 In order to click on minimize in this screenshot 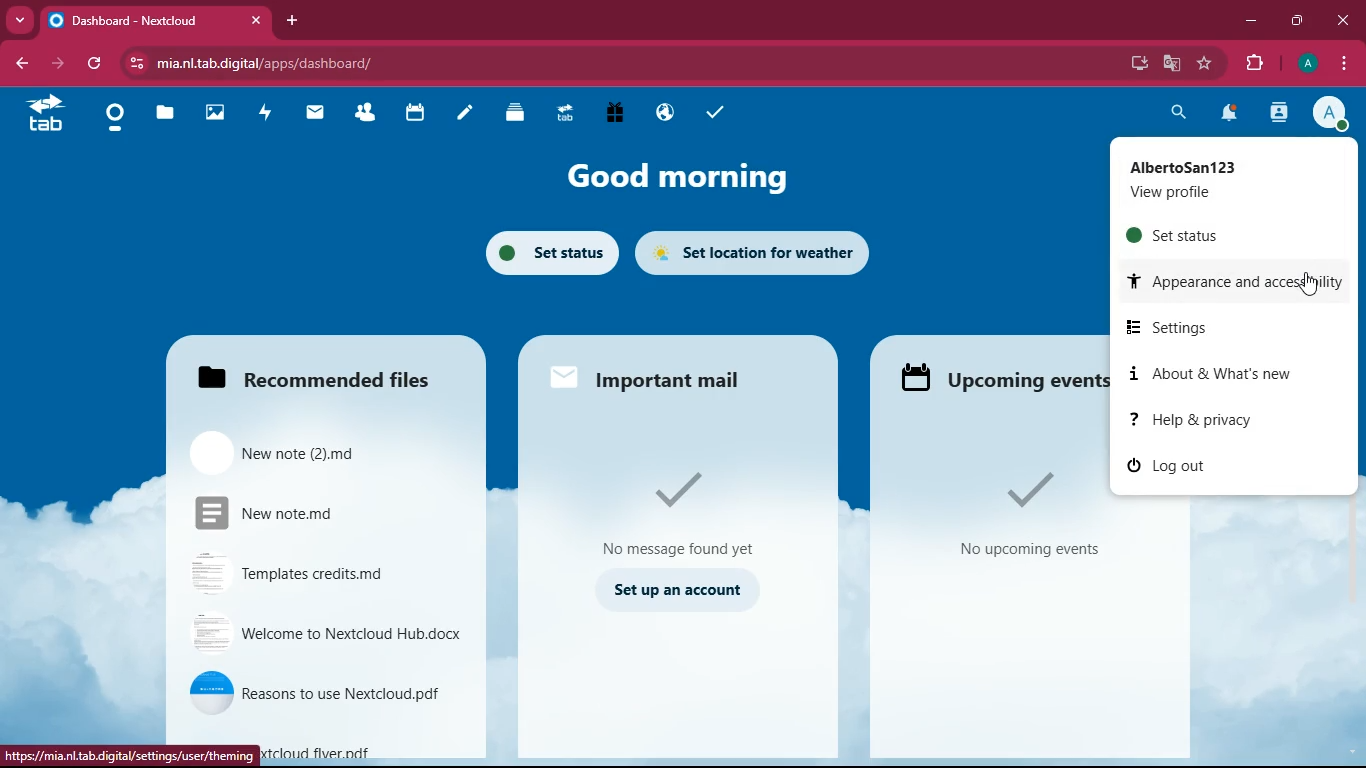, I will do `click(1250, 23)`.